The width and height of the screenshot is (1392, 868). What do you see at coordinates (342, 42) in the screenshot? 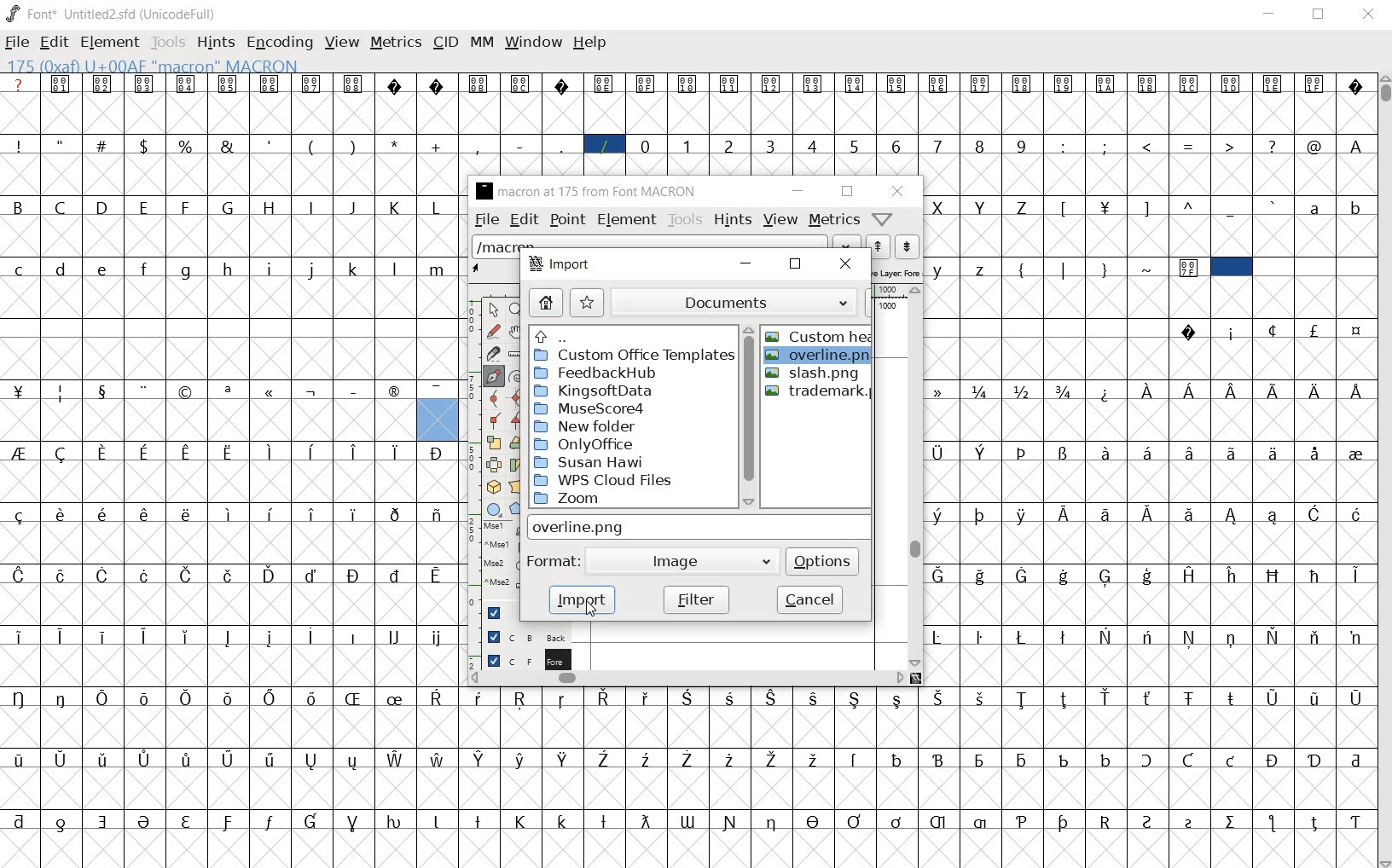
I see `view` at bounding box center [342, 42].